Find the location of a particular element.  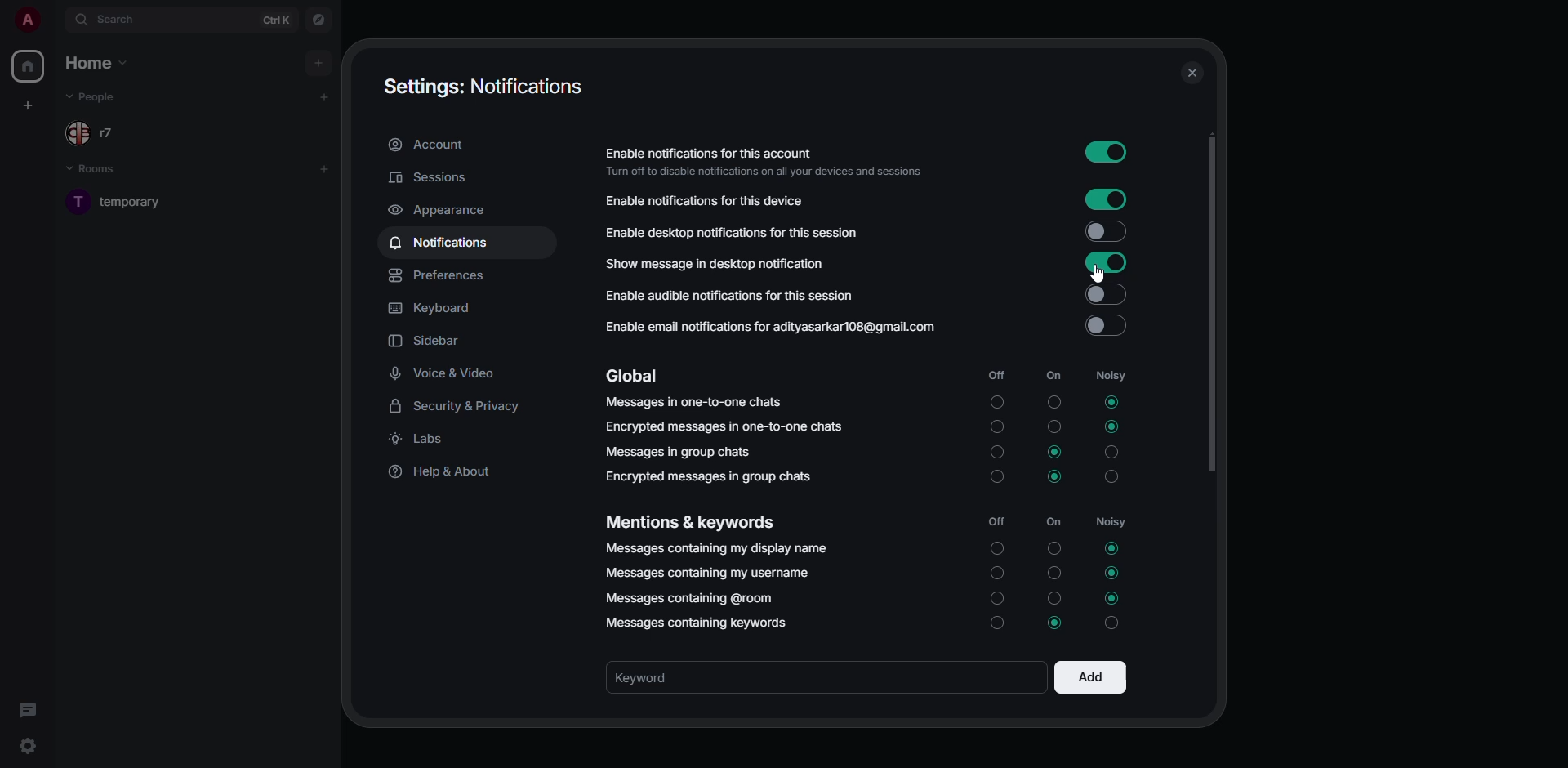

encrypted messages in group chat is located at coordinates (707, 476).